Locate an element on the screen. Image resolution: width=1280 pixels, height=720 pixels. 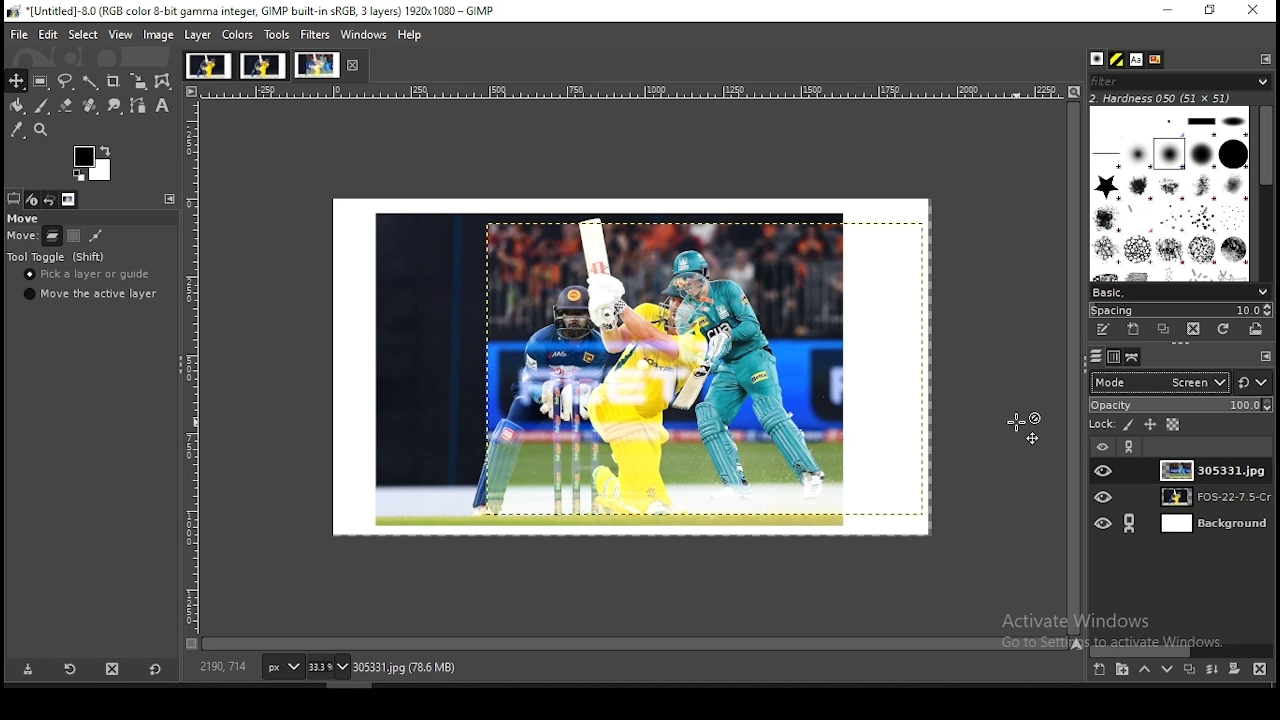
mode is located at coordinates (1158, 383).